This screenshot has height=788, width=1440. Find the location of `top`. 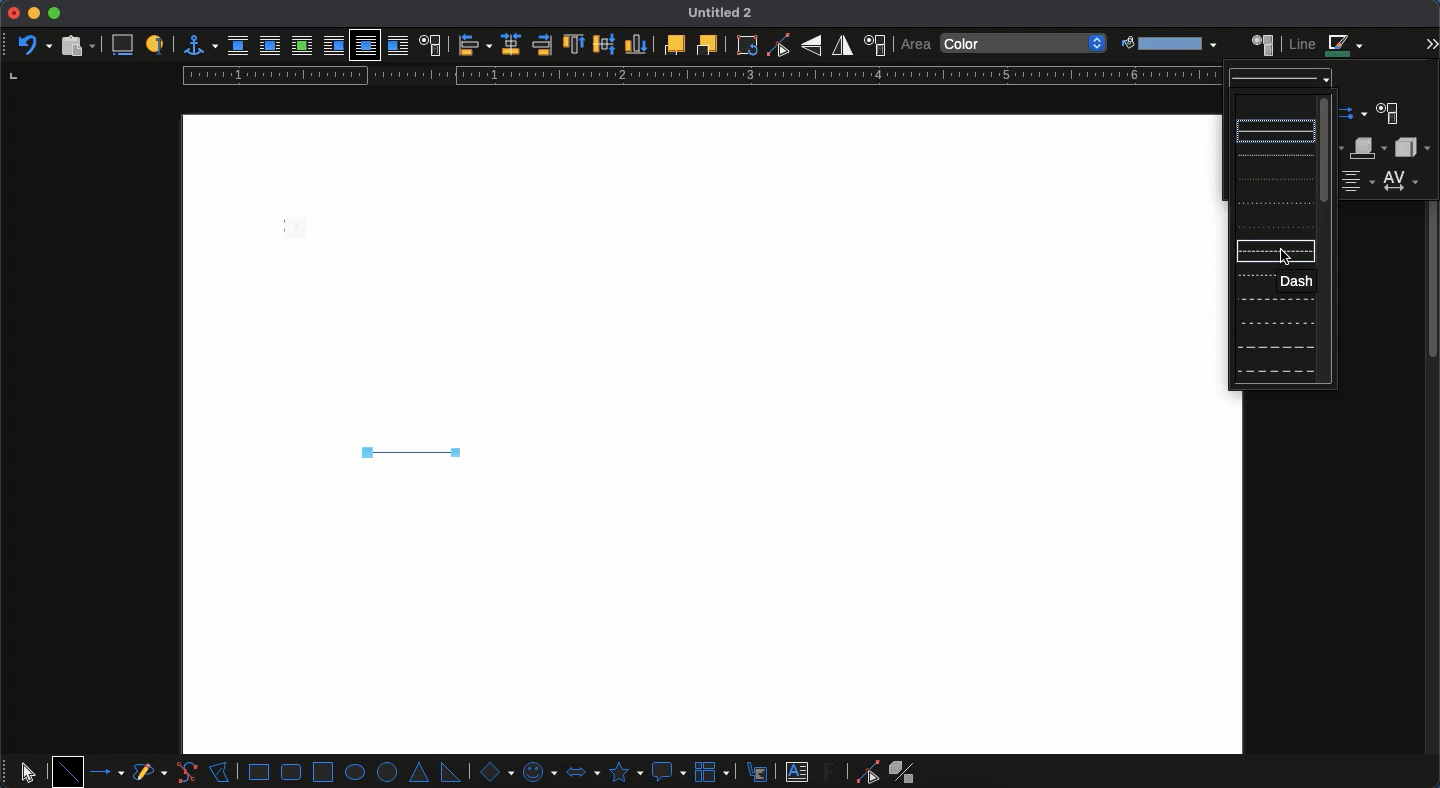

top is located at coordinates (575, 45).